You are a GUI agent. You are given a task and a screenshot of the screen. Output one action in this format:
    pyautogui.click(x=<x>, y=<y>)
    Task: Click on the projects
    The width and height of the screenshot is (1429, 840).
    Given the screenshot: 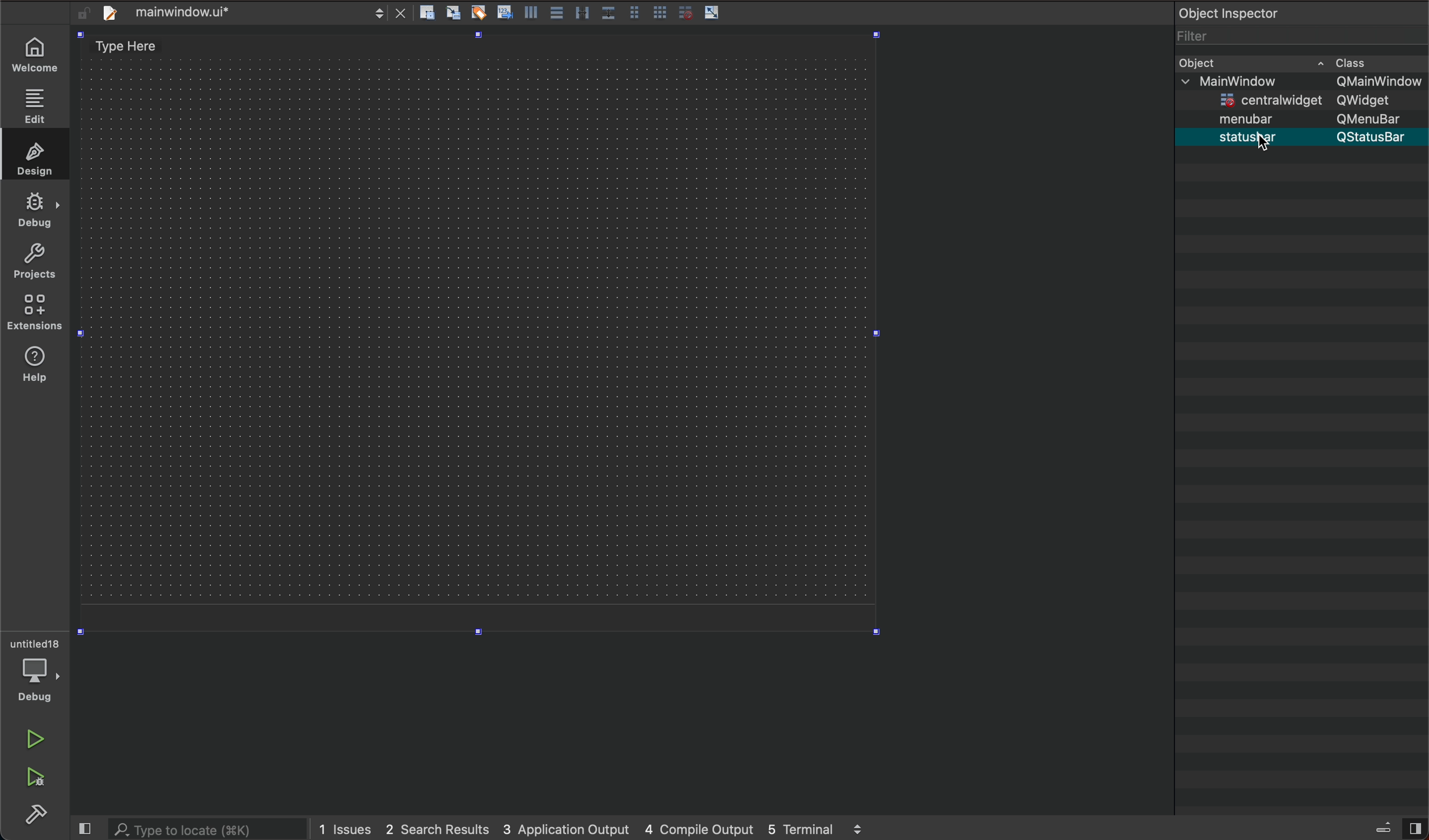 What is the action you would take?
    pyautogui.click(x=33, y=266)
    